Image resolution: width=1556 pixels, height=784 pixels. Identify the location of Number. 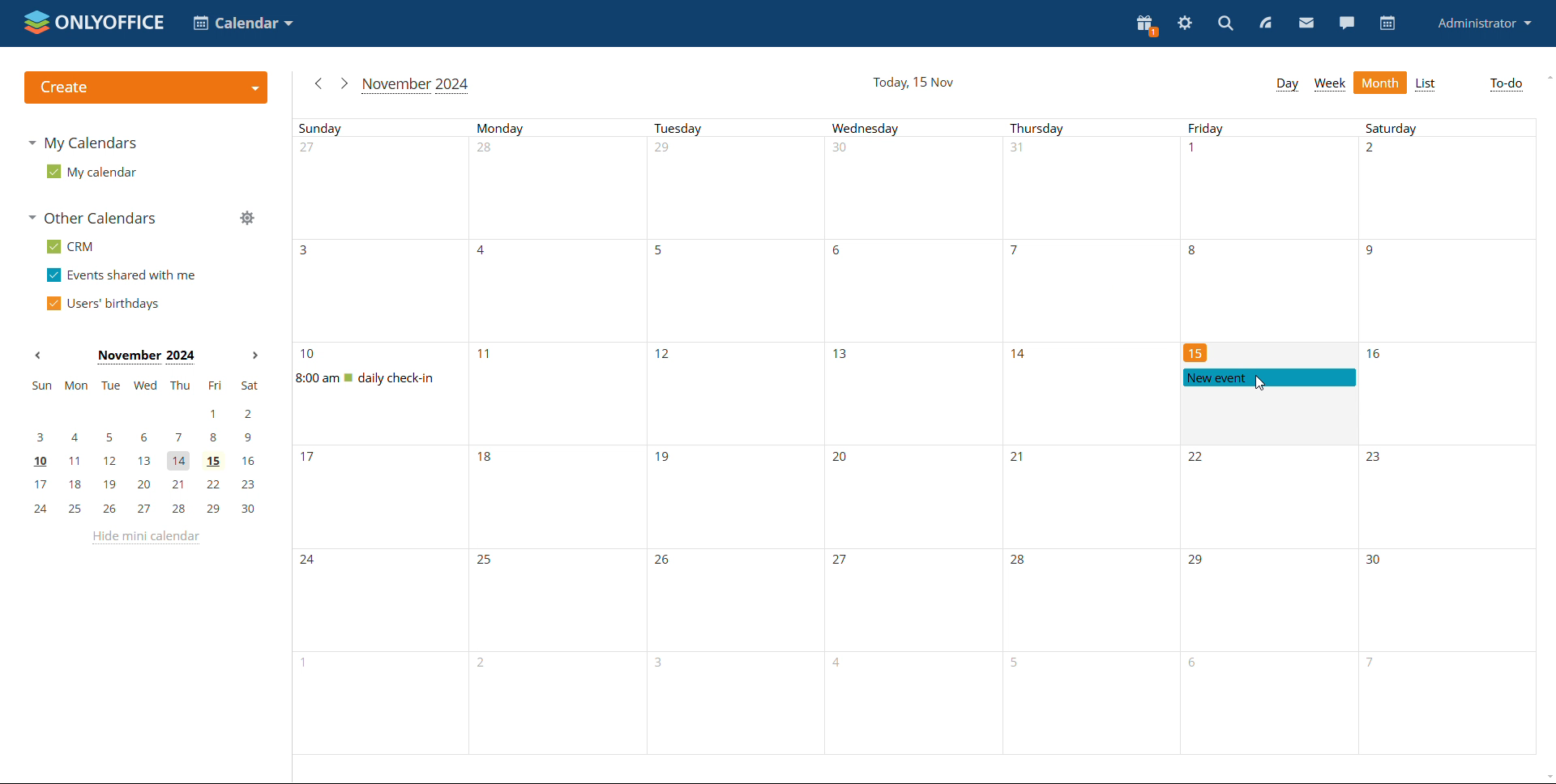
(1195, 151).